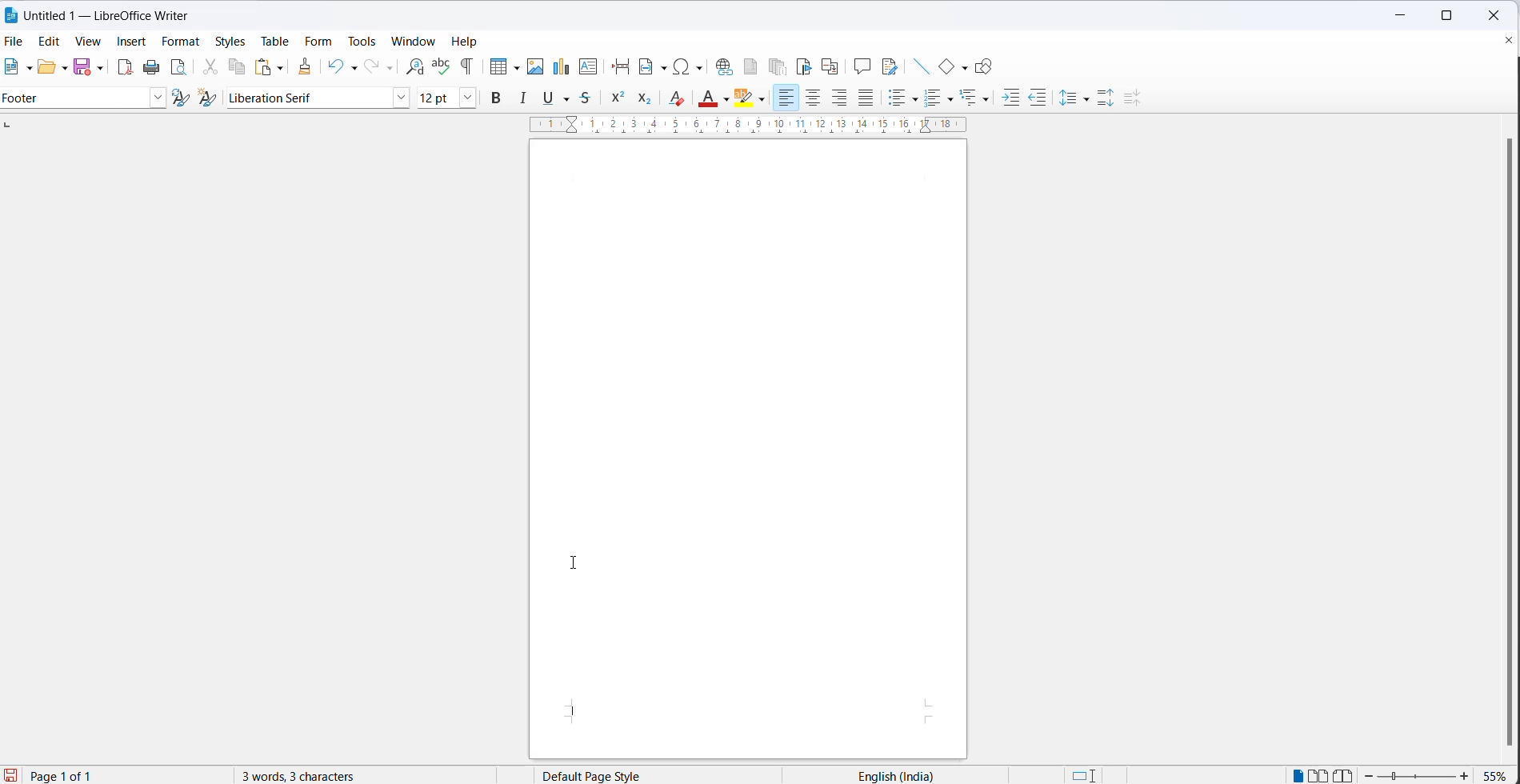 The image size is (1520, 784). What do you see at coordinates (679, 99) in the screenshot?
I see `clear direct formatting` at bounding box center [679, 99].